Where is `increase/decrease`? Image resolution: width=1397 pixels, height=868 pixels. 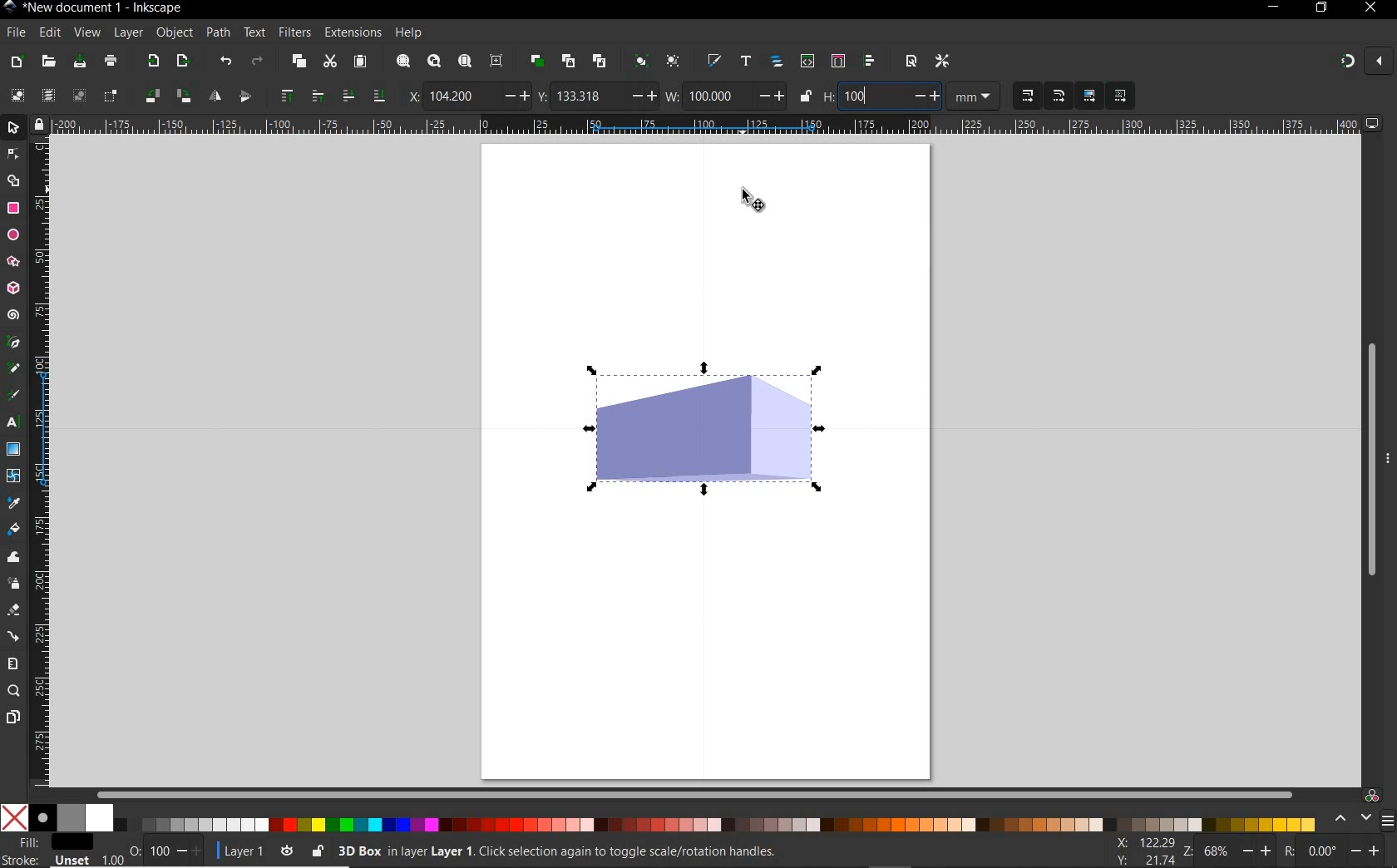
increase/decrease is located at coordinates (190, 851).